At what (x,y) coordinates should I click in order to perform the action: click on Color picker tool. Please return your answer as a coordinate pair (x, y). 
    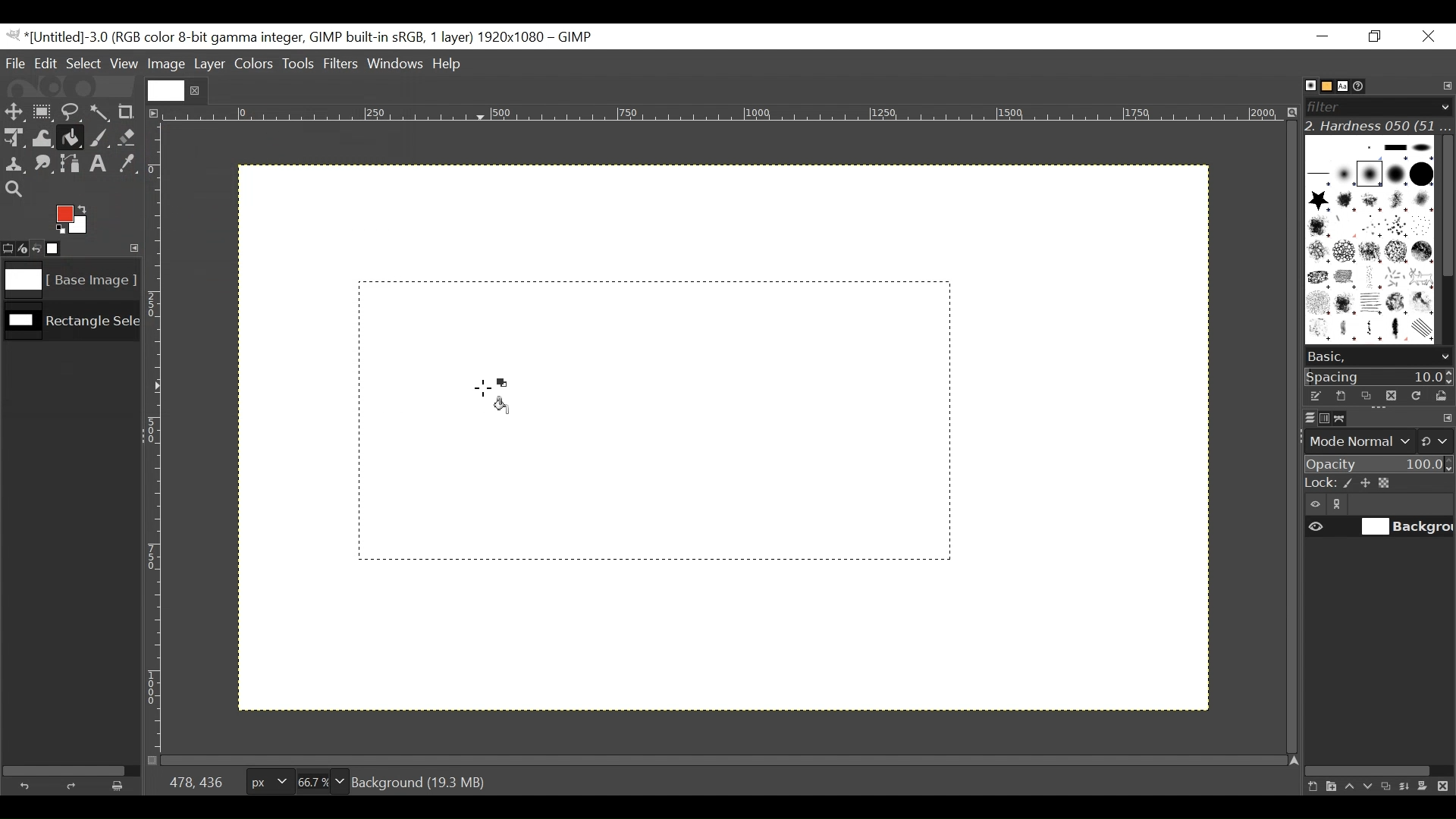
    Looking at the image, I should click on (129, 165).